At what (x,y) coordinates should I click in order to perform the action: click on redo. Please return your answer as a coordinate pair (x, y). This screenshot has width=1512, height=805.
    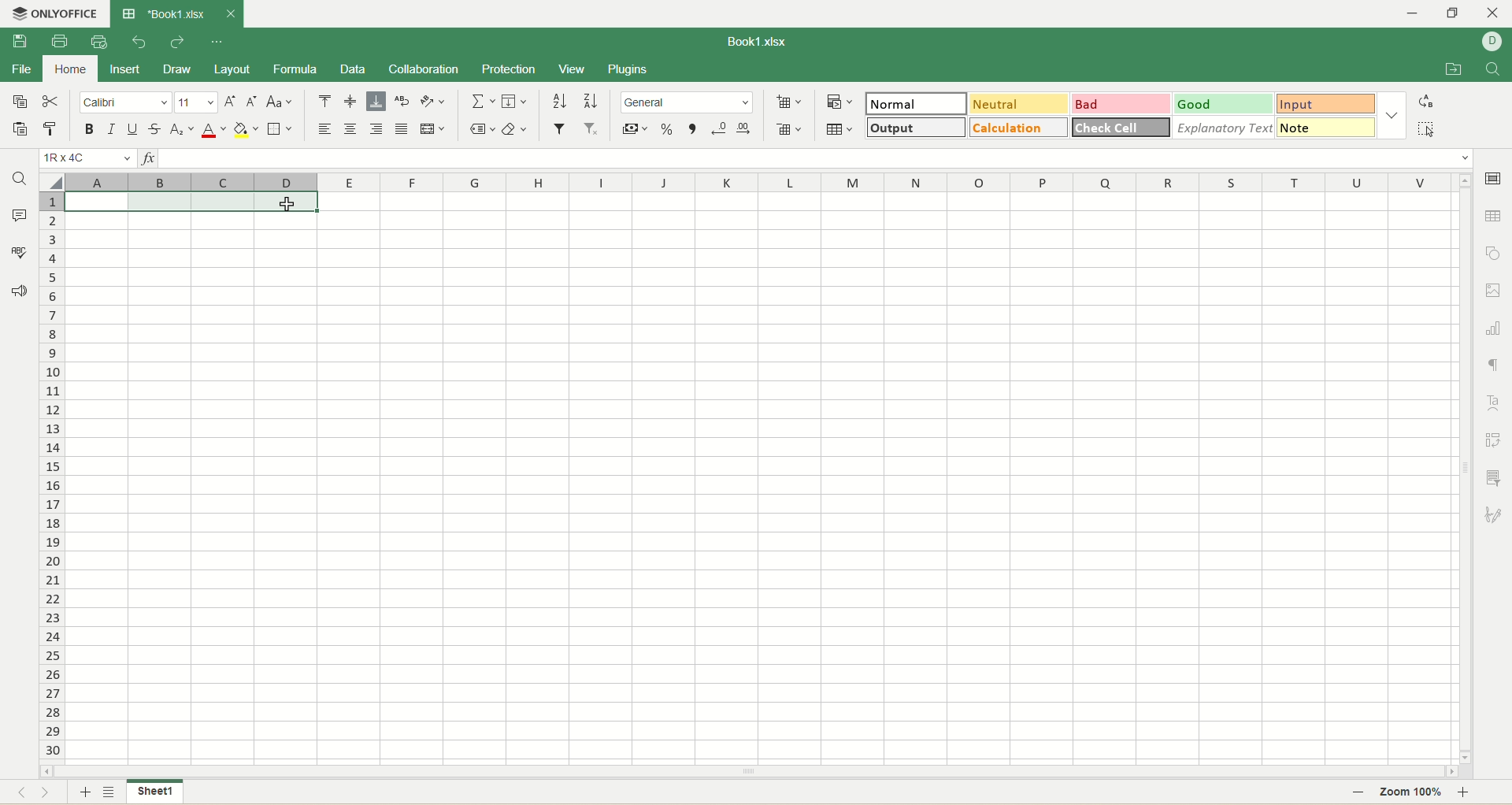
    Looking at the image, I should click on (176, 41).